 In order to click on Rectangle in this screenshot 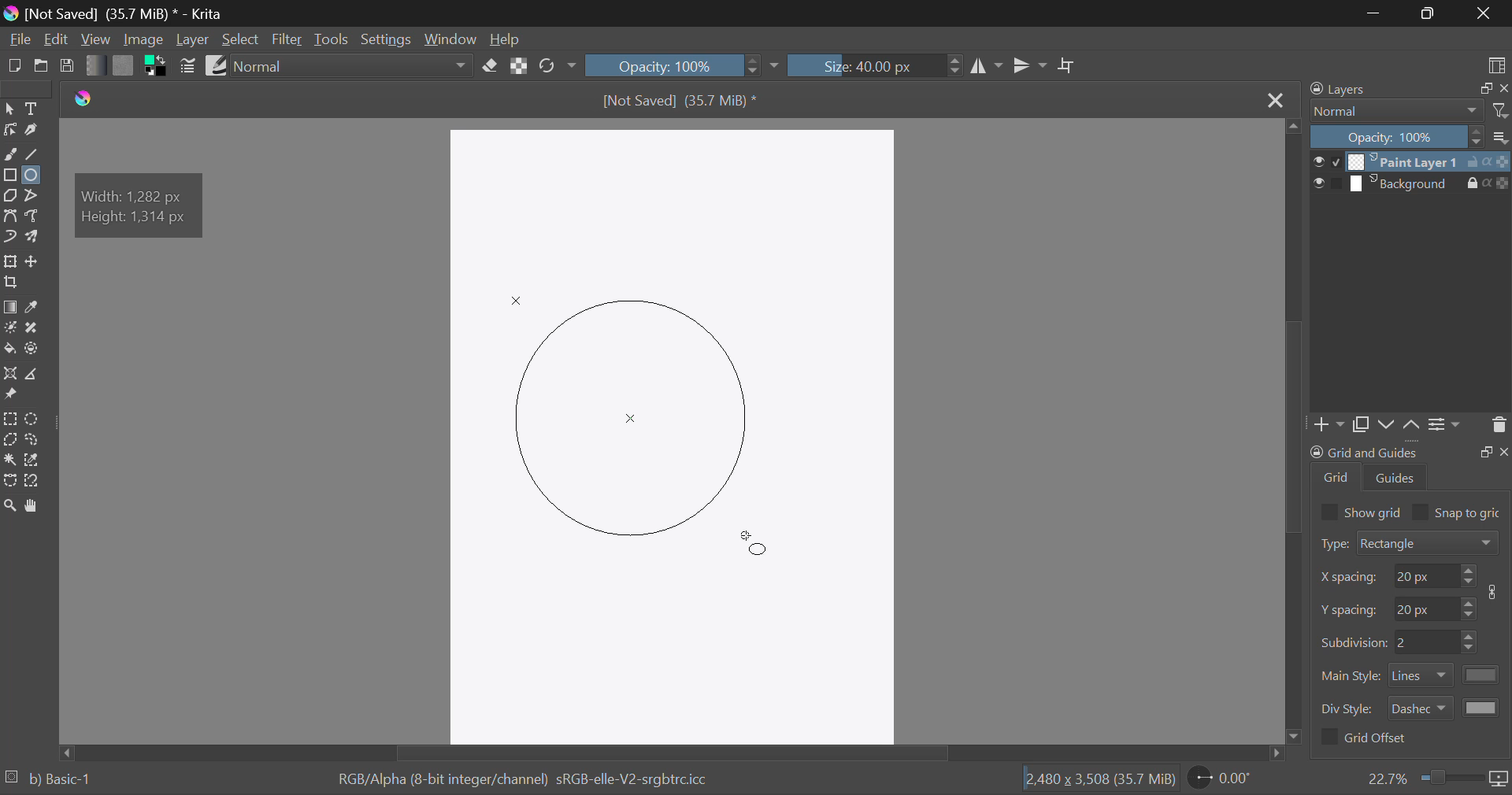, I will do `click(11, 174)`.